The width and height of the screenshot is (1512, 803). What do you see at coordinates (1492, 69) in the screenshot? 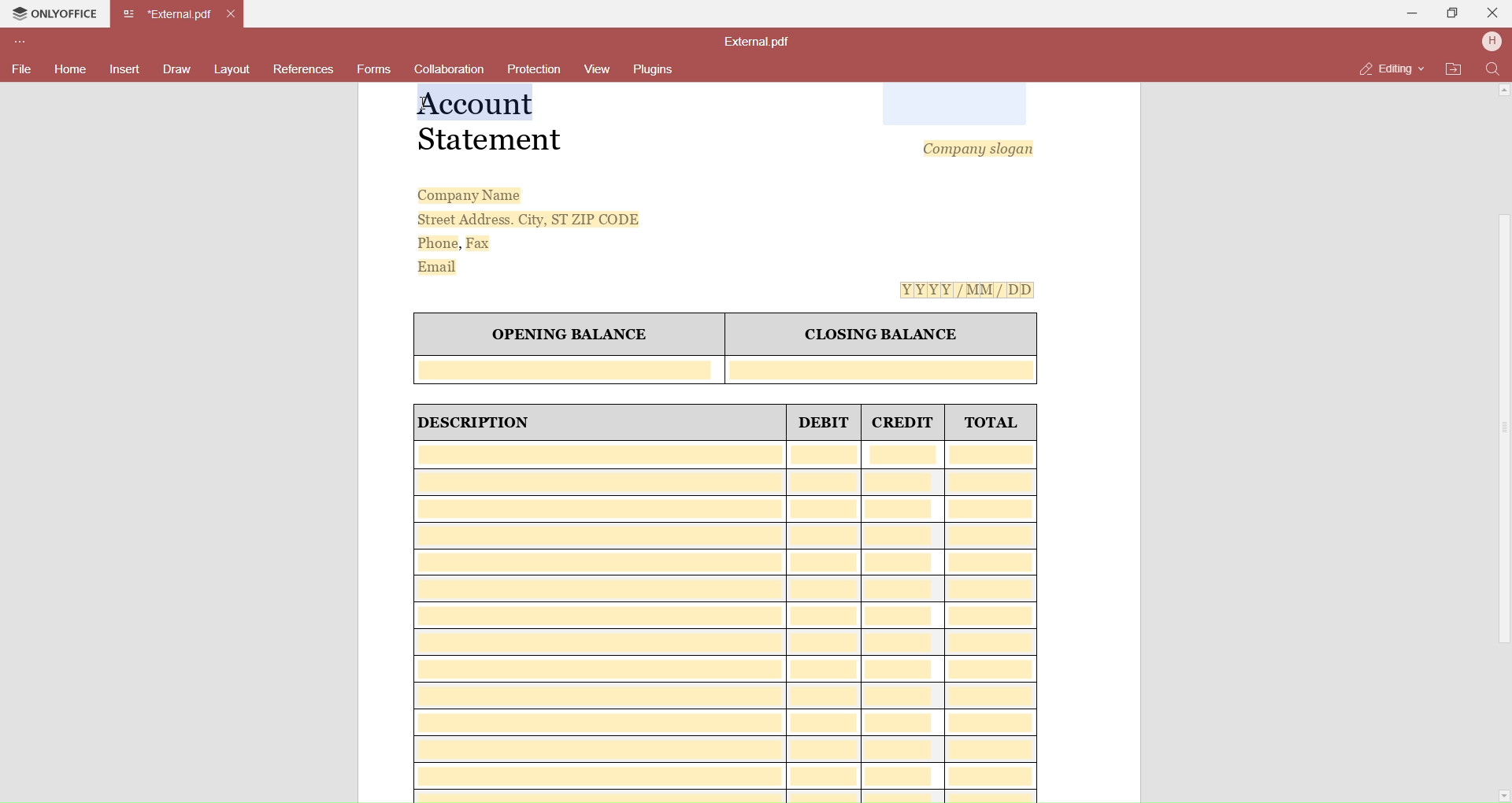
I see `Find` at bounding box center [1492, 69].